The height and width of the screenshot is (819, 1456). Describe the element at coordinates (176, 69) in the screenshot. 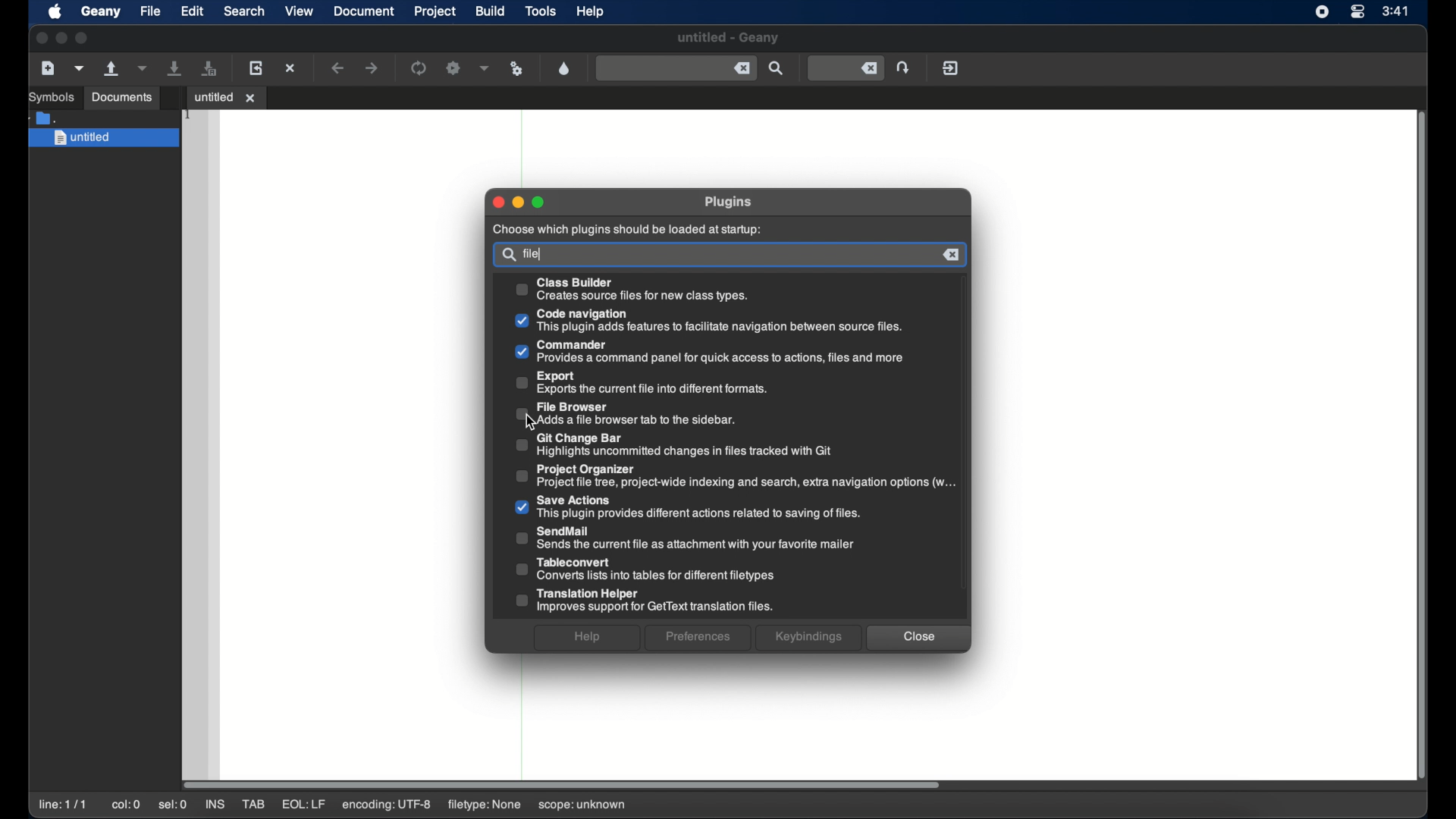

I see `save the current file` at that location.